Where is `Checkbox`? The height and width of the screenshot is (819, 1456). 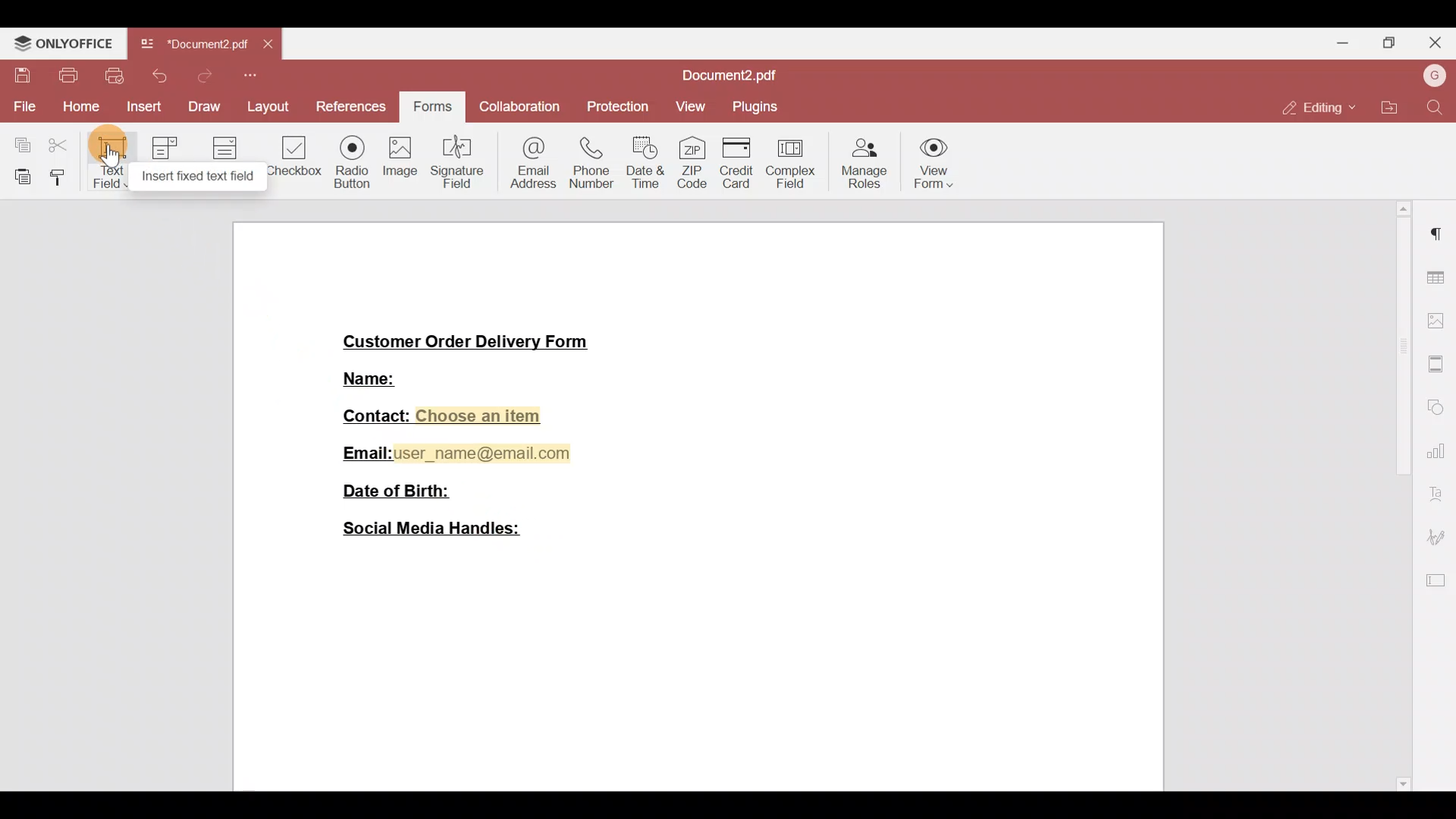 Checkbox is located at coordinates (292, 155).